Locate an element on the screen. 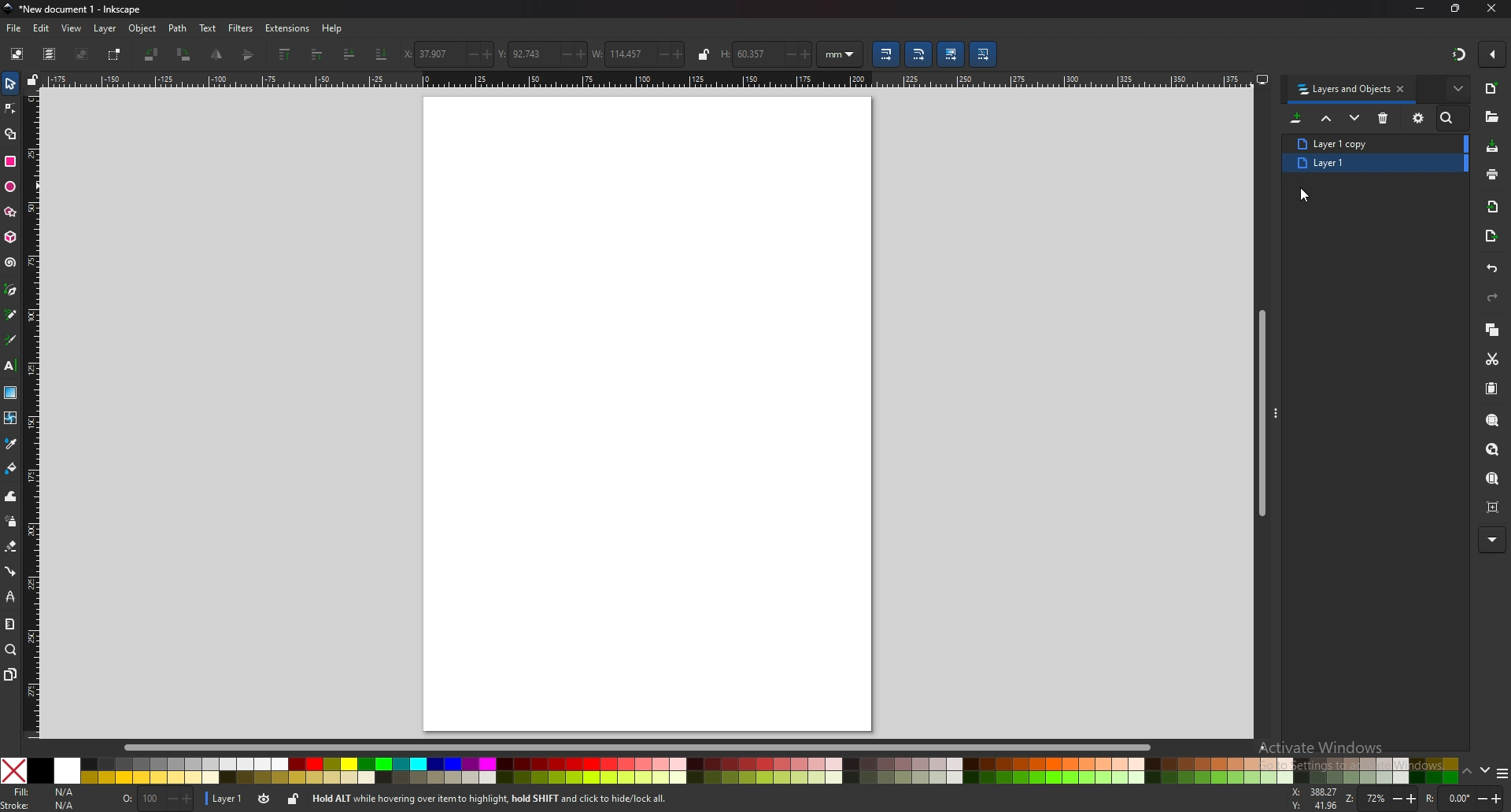 Image resolution: width=1511 pixels, height=812 pixels. lock is located at coordinates (704, 54).